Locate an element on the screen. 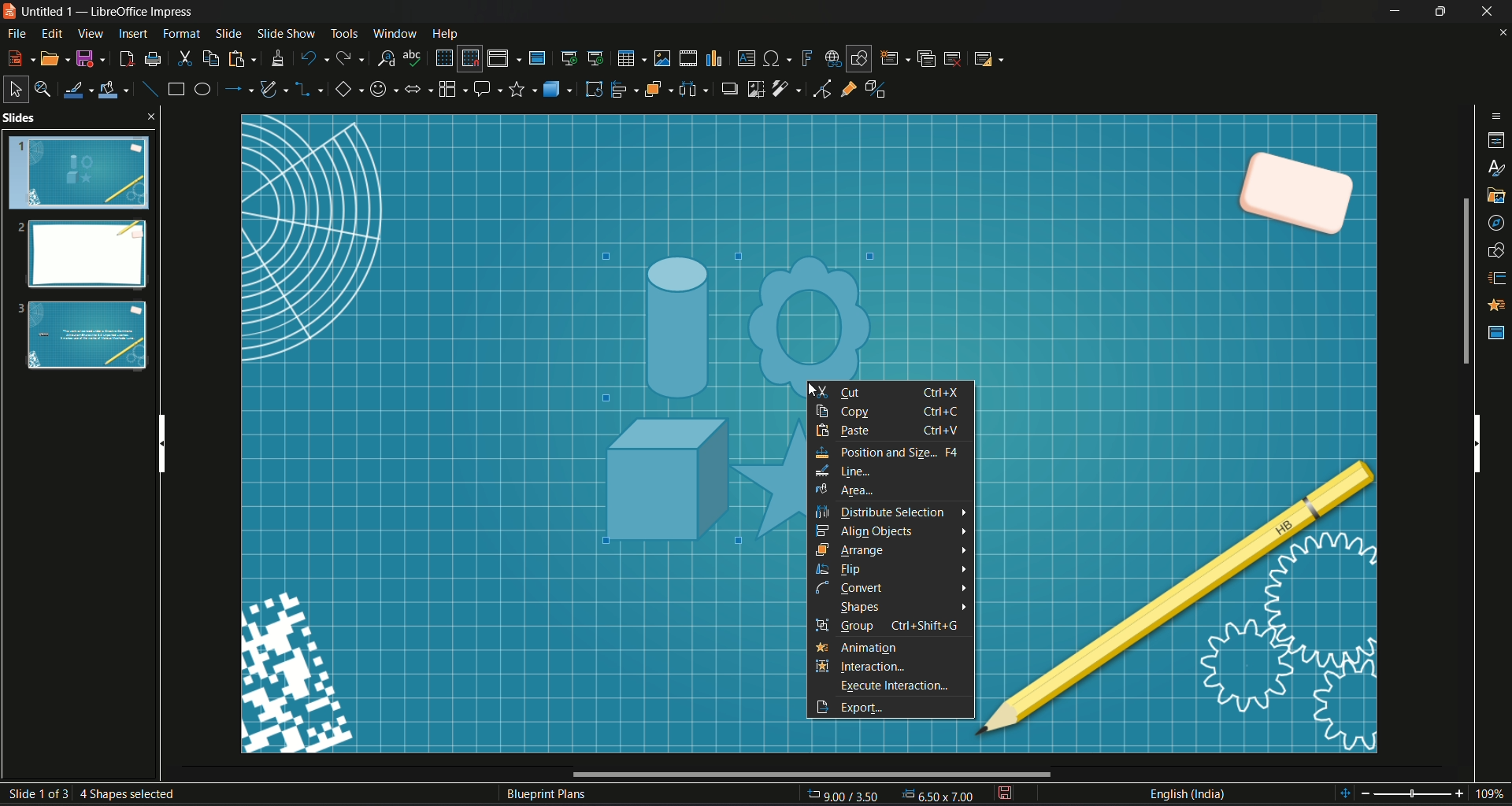 Image resolution: width=1512 pixels, height=806 pixels. interaction is located at coordinates (821, 665).